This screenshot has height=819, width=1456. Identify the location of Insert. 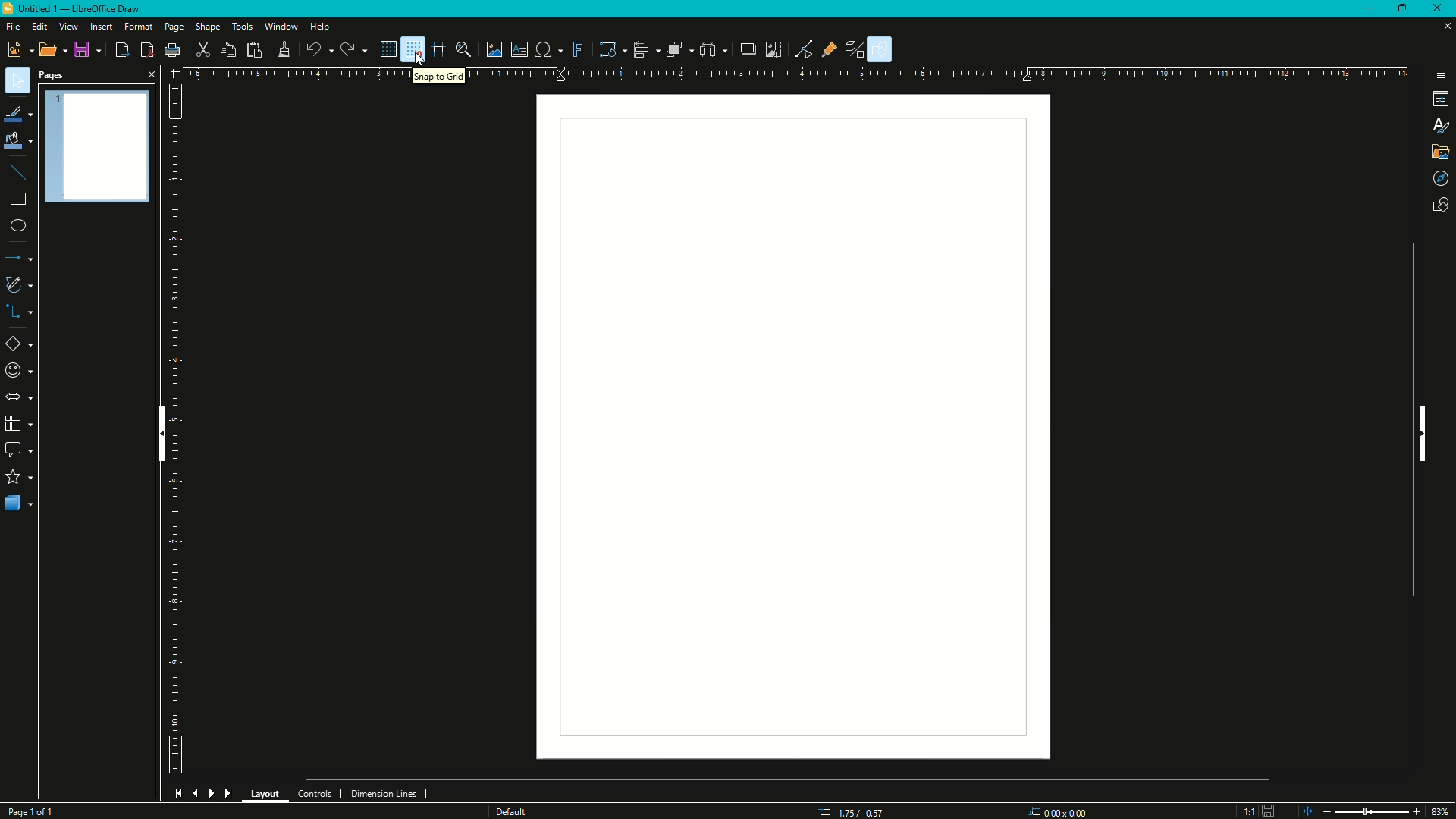
(105, 27).